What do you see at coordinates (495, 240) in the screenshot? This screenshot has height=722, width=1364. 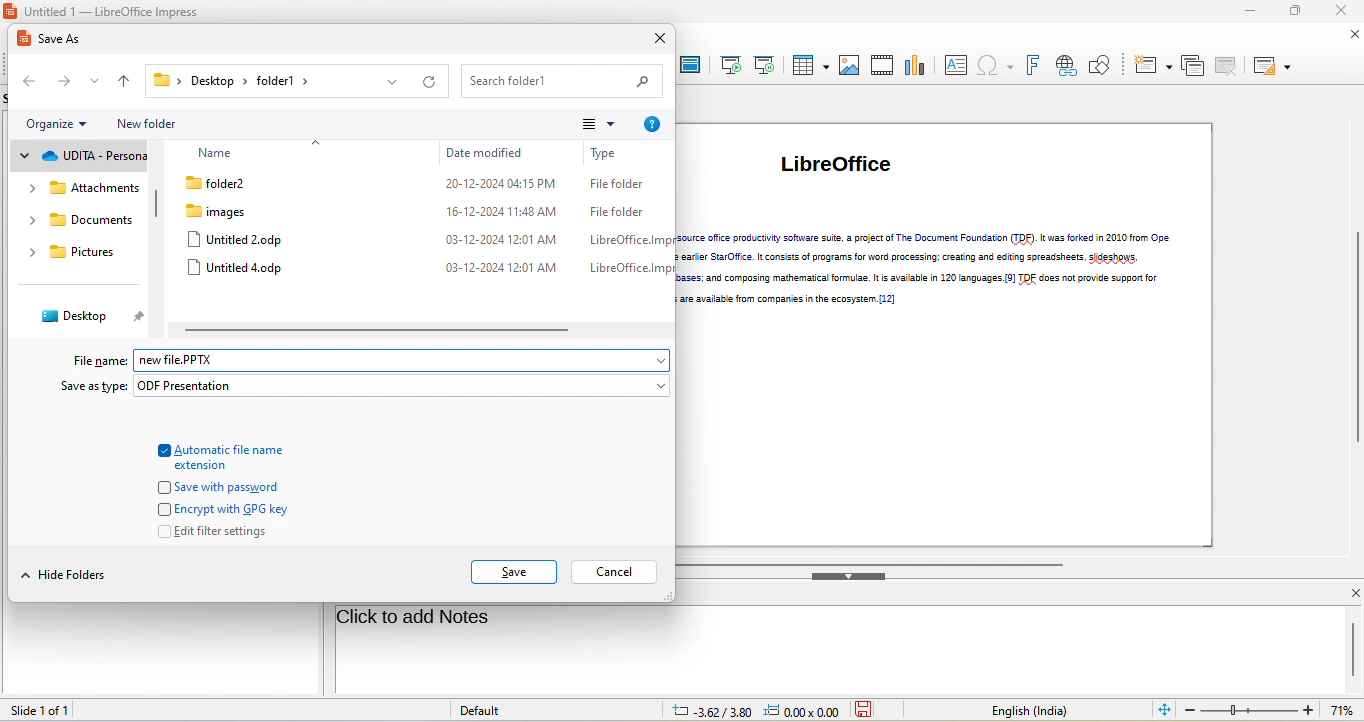 I see `Us-l12-2024 1201 AM` at bounding box center [495, 240].